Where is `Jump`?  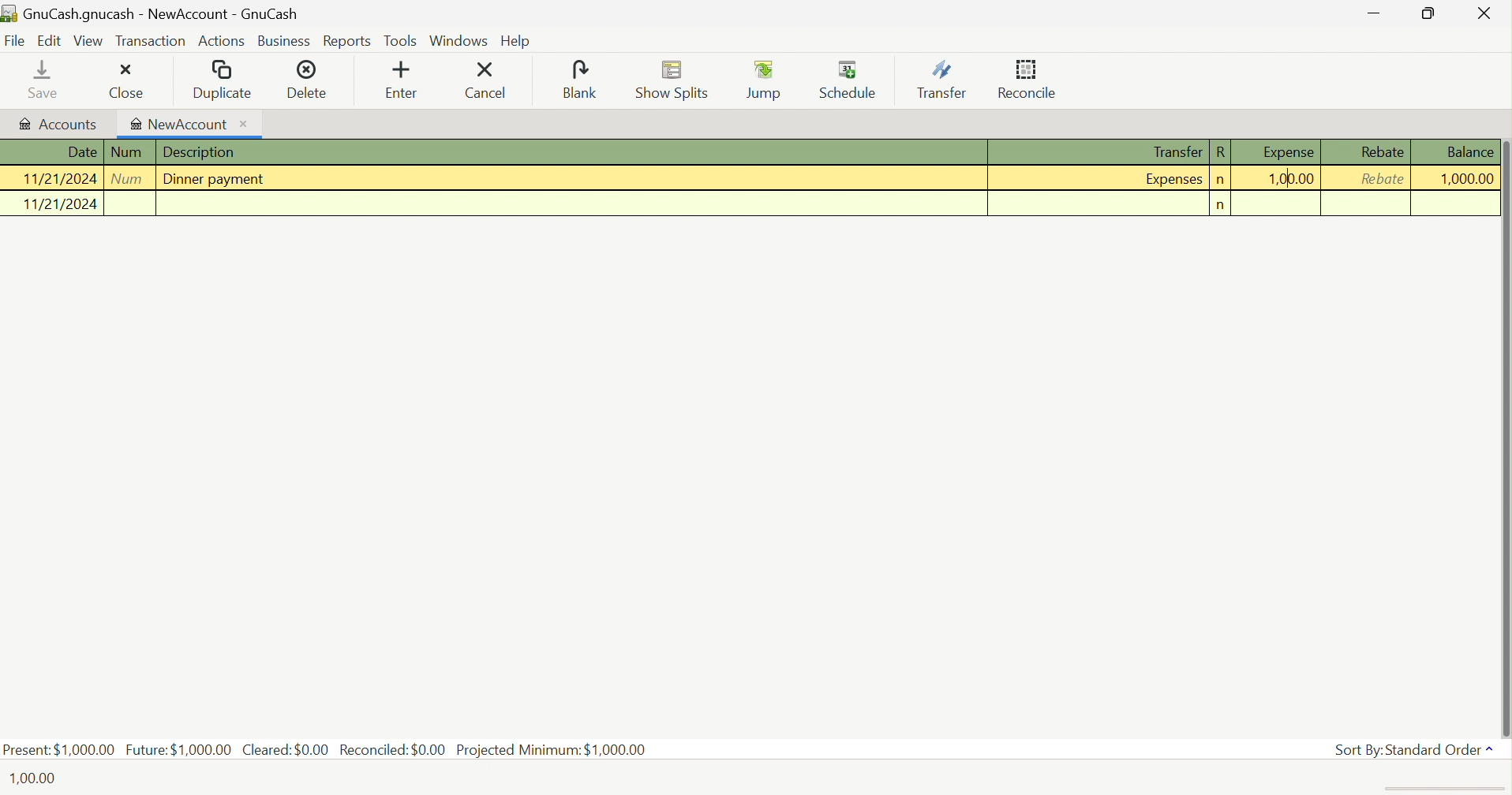 Jump is located at coordinates (764, 79).